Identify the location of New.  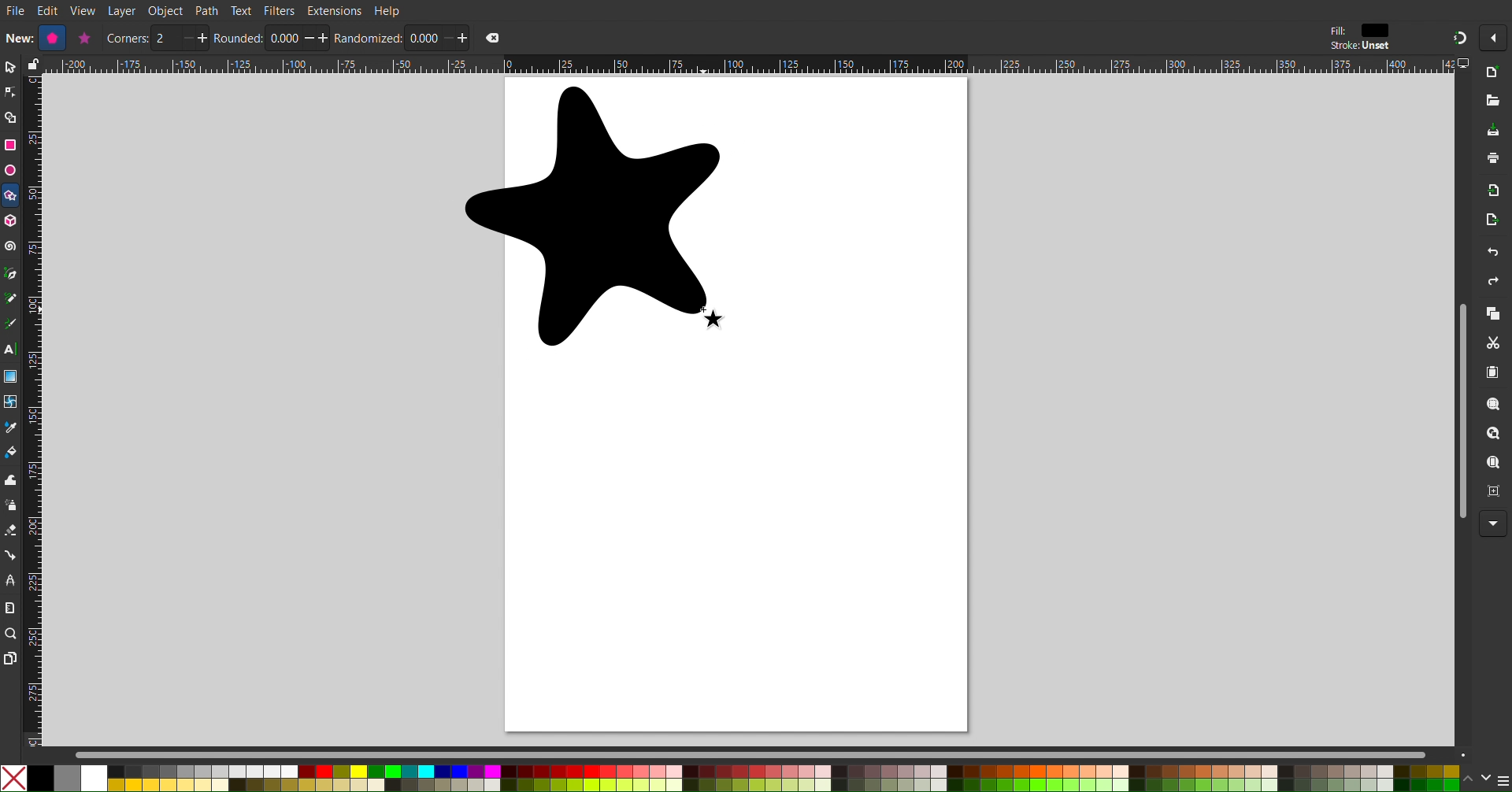
(1495, 73).